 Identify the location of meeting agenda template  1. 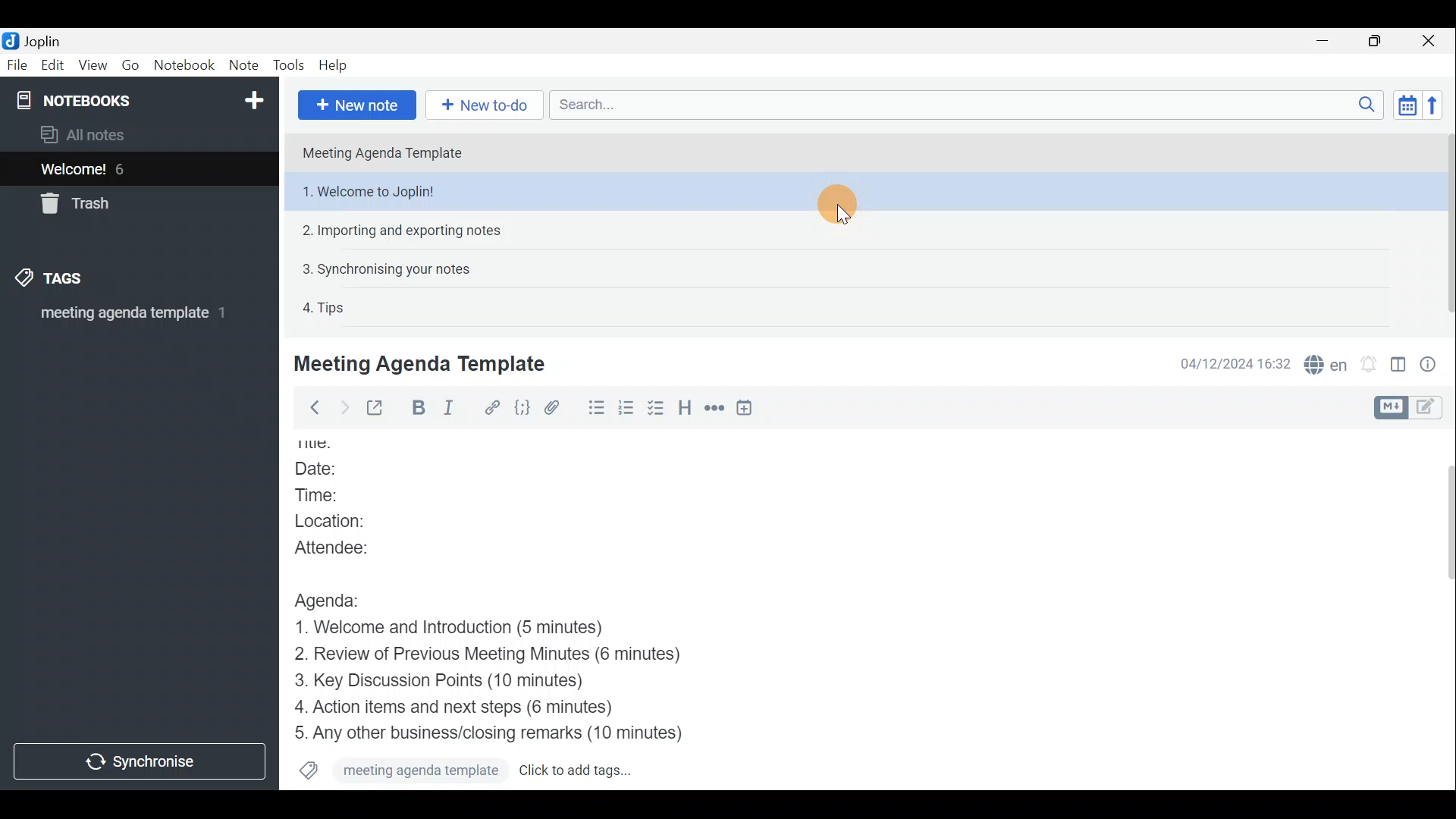
(134, 318).